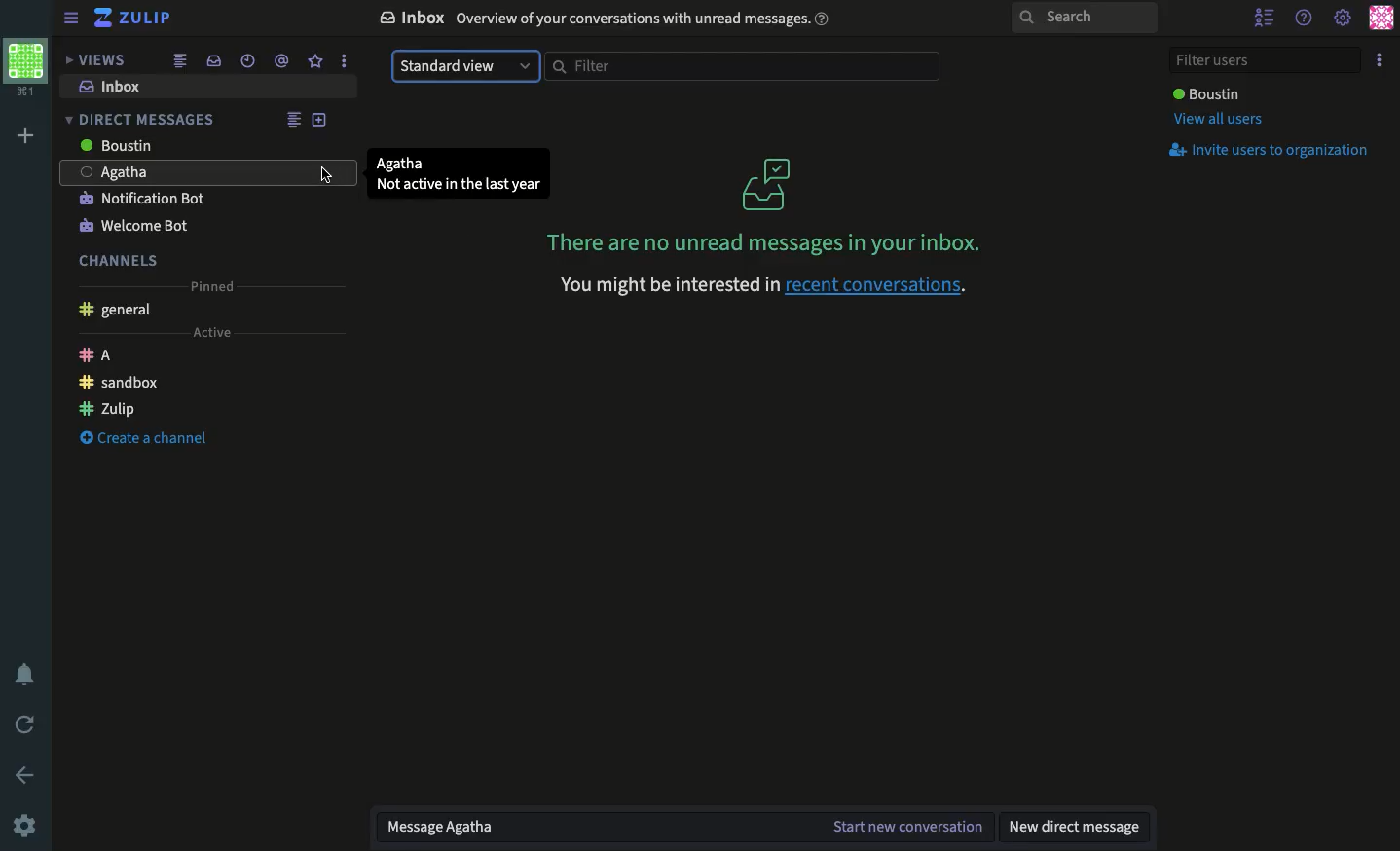  Describe the element at coordinates (323, 119) in the screenshot. I see `Add` at that location.